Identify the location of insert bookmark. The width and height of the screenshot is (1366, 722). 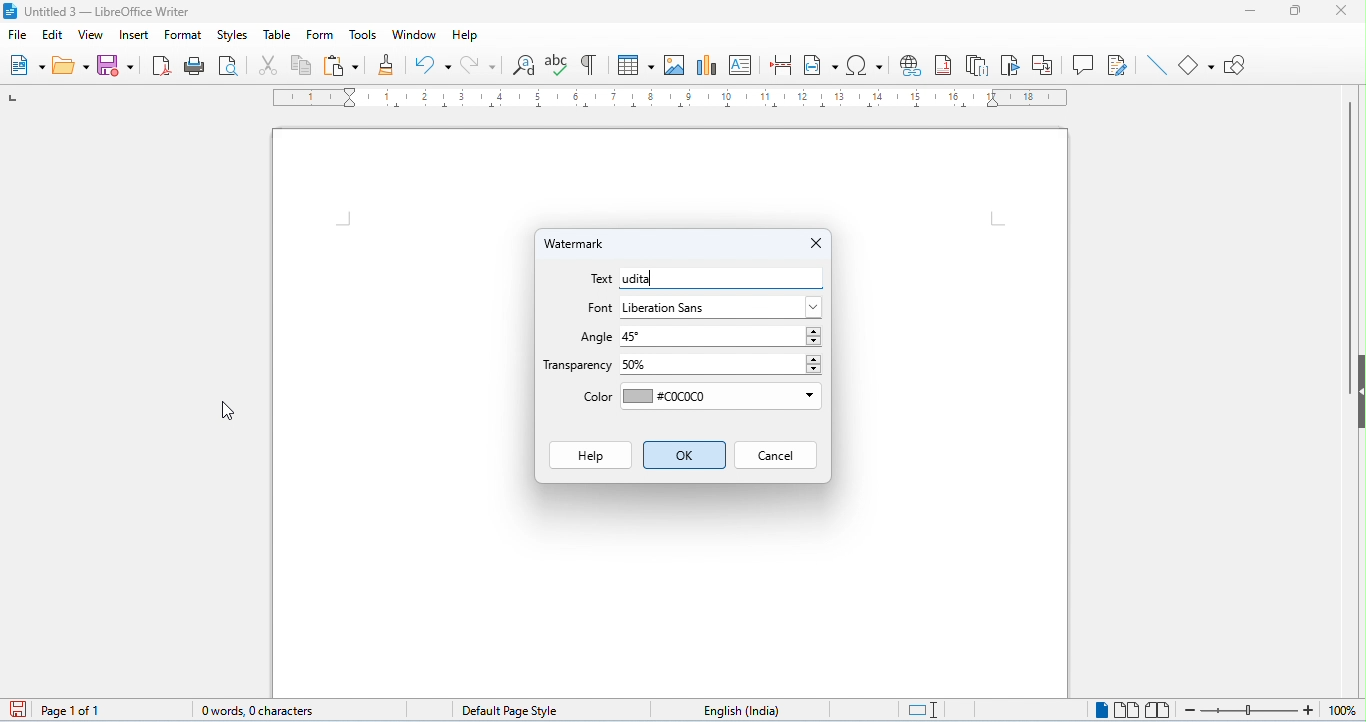
(1012, 65).